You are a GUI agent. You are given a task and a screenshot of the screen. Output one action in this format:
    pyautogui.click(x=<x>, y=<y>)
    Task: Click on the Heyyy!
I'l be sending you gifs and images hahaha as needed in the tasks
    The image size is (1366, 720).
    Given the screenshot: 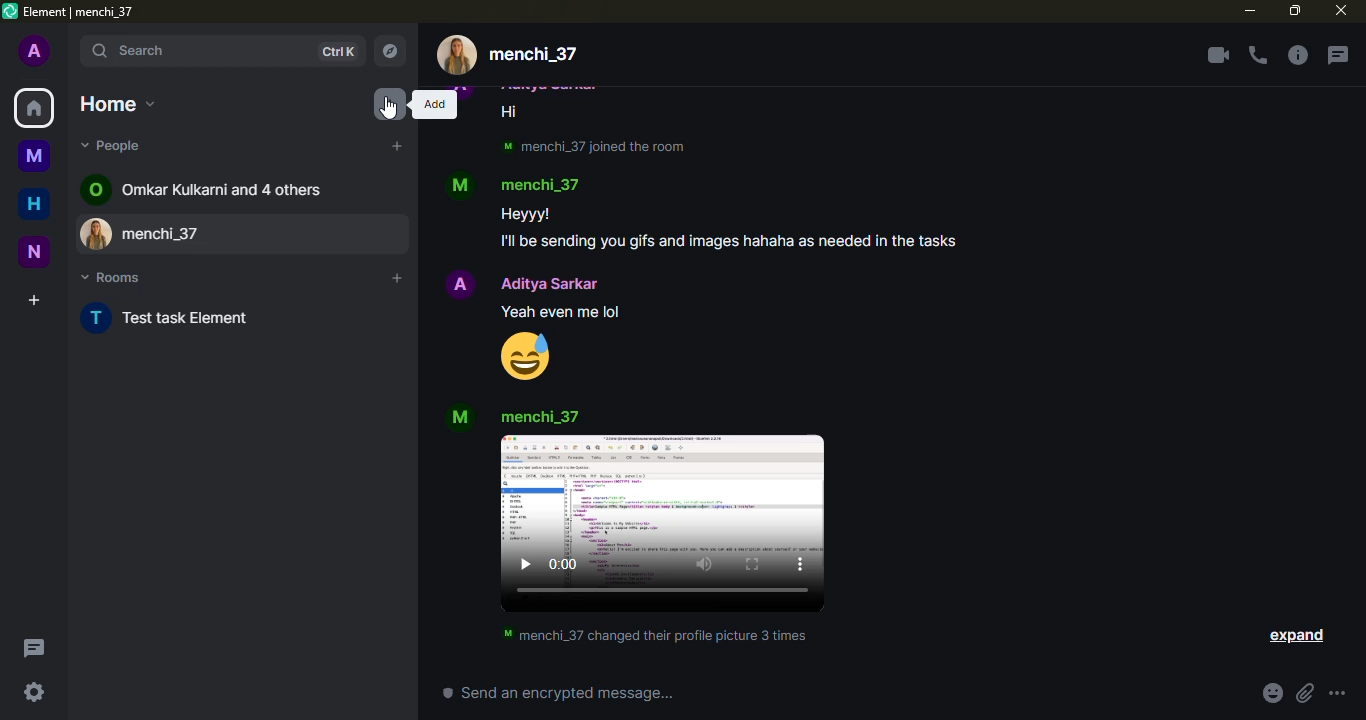 What is the action you would take?
    pyautogui.click(x=728, y=229)
    